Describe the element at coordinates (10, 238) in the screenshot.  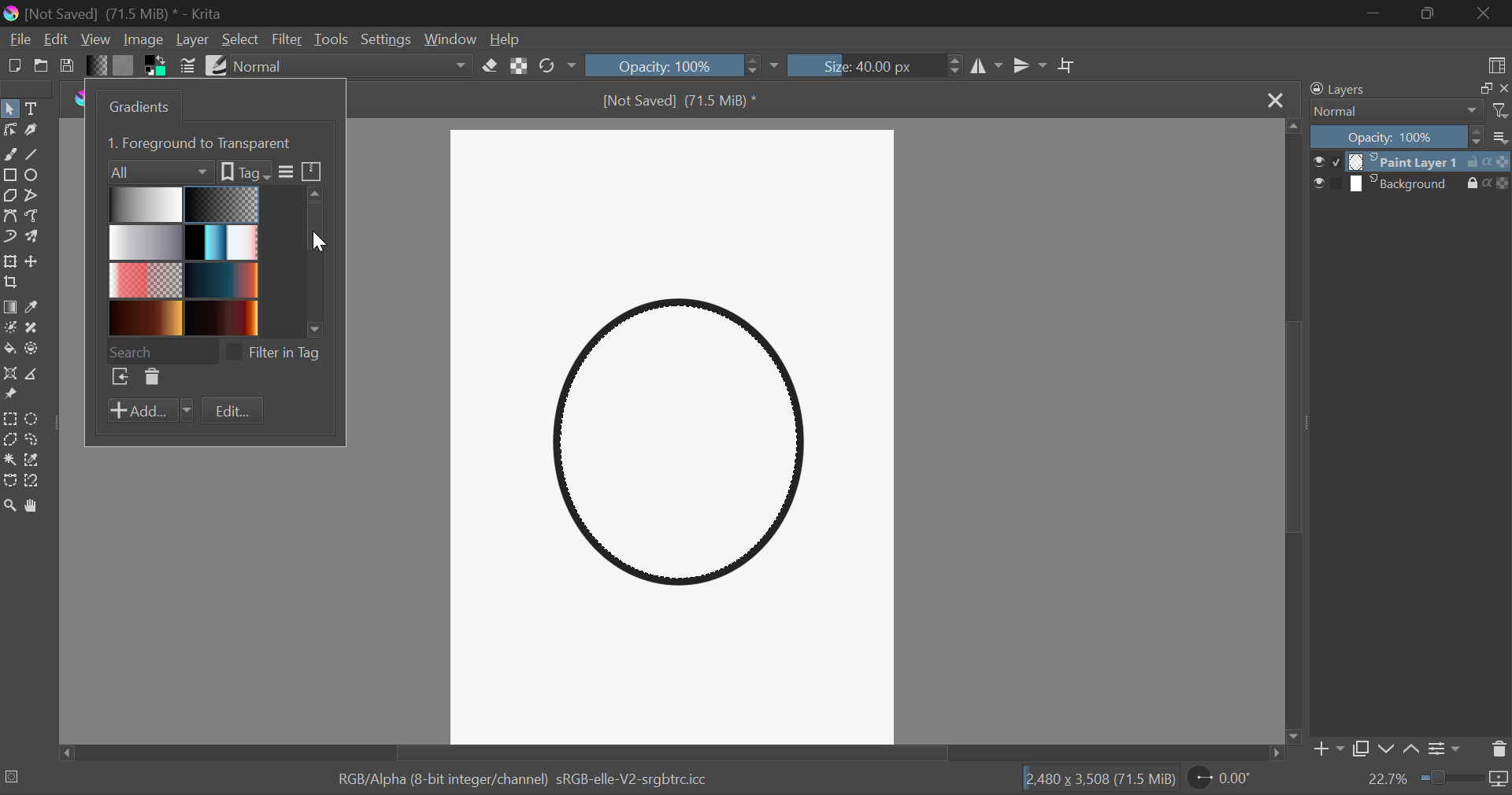
I see `Dynamic Brush` at that location.